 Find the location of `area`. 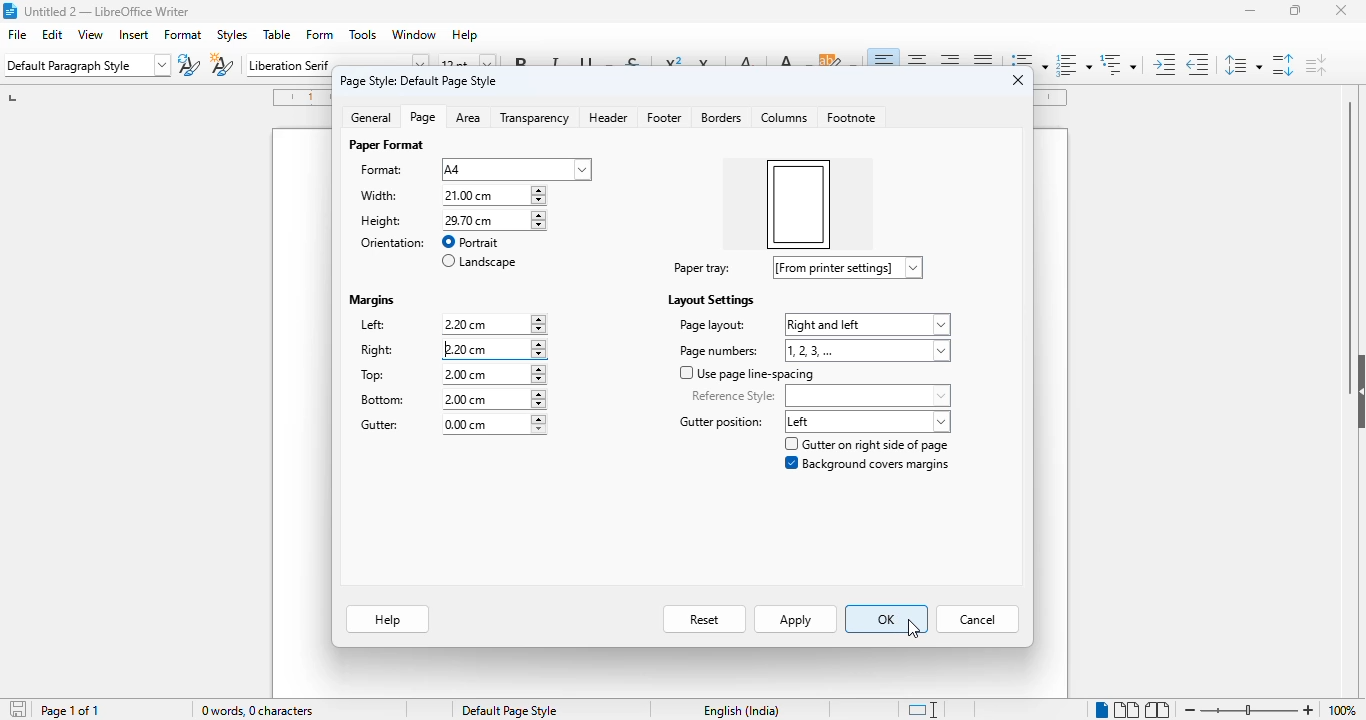

area is located at coordinates (469, 117).